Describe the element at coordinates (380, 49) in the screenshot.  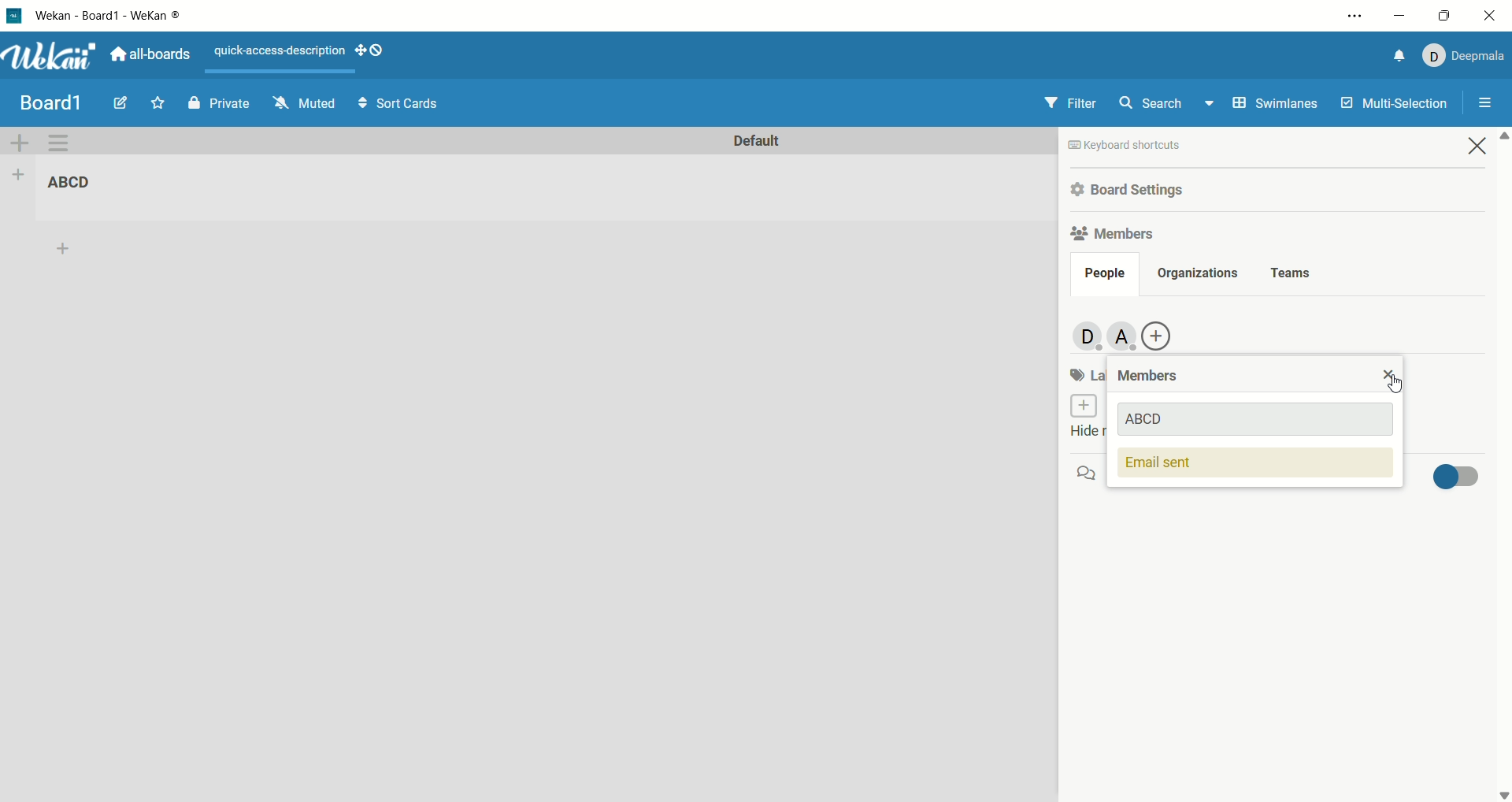
I see `show-desktop-drag-handles` at that location.